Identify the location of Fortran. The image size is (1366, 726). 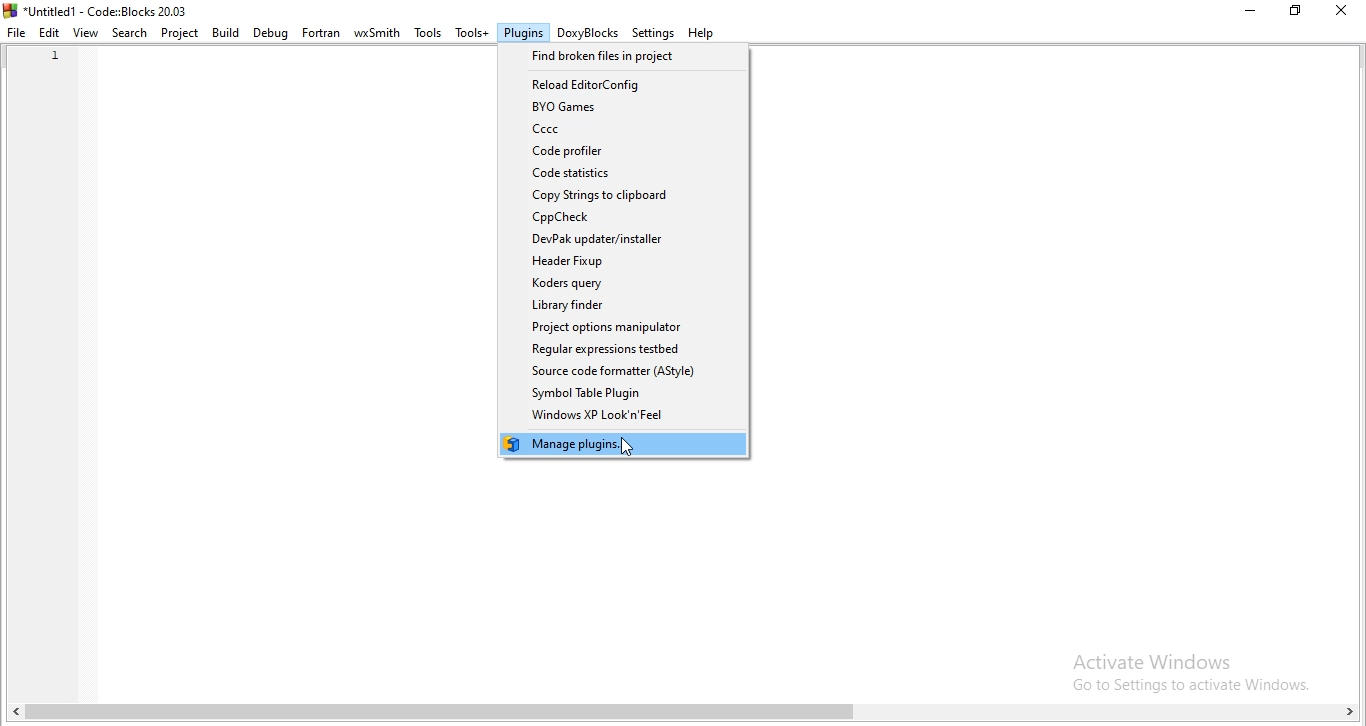
(321, 34).